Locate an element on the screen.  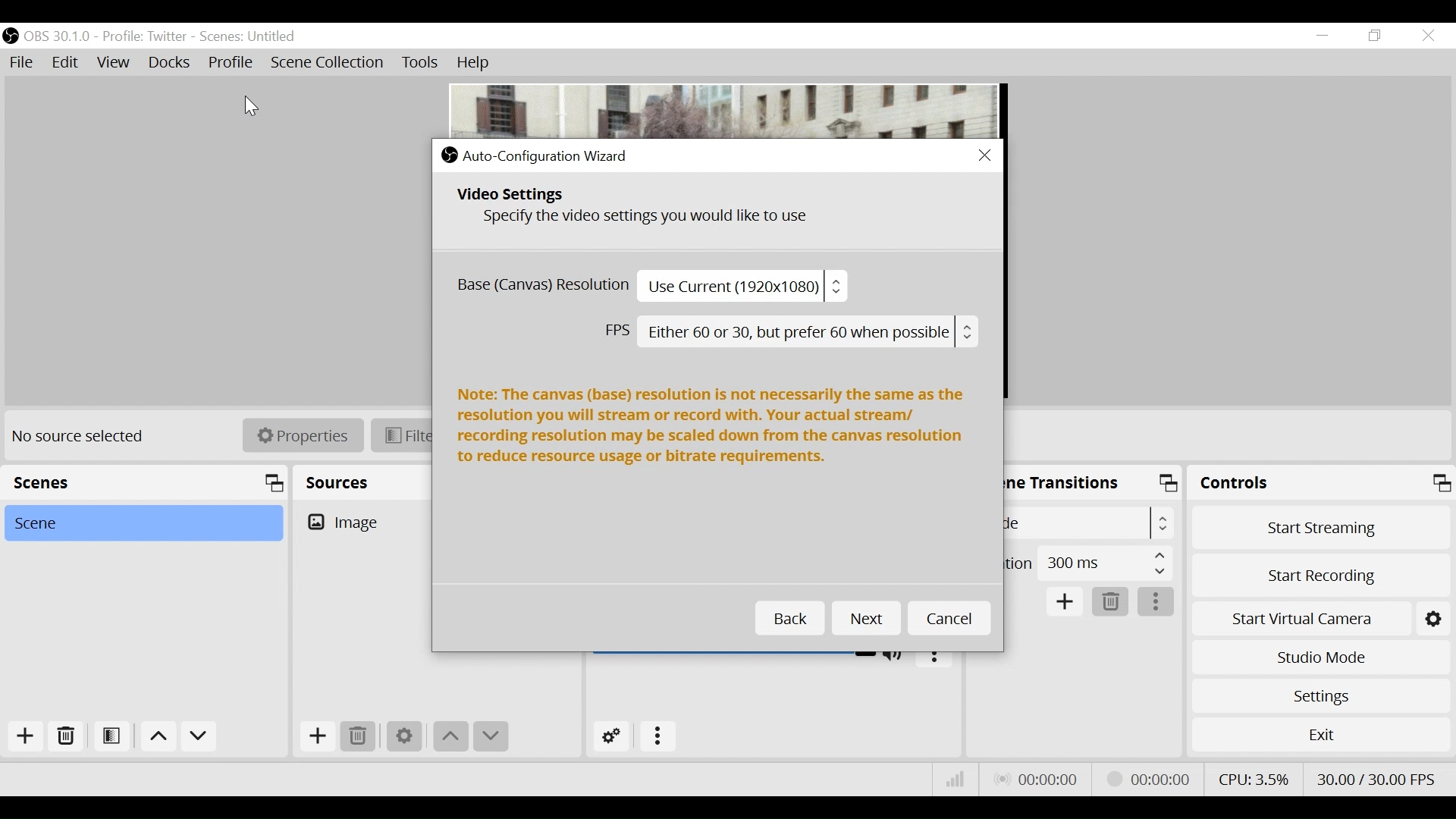
Delete is located at coordinates (358, 736).